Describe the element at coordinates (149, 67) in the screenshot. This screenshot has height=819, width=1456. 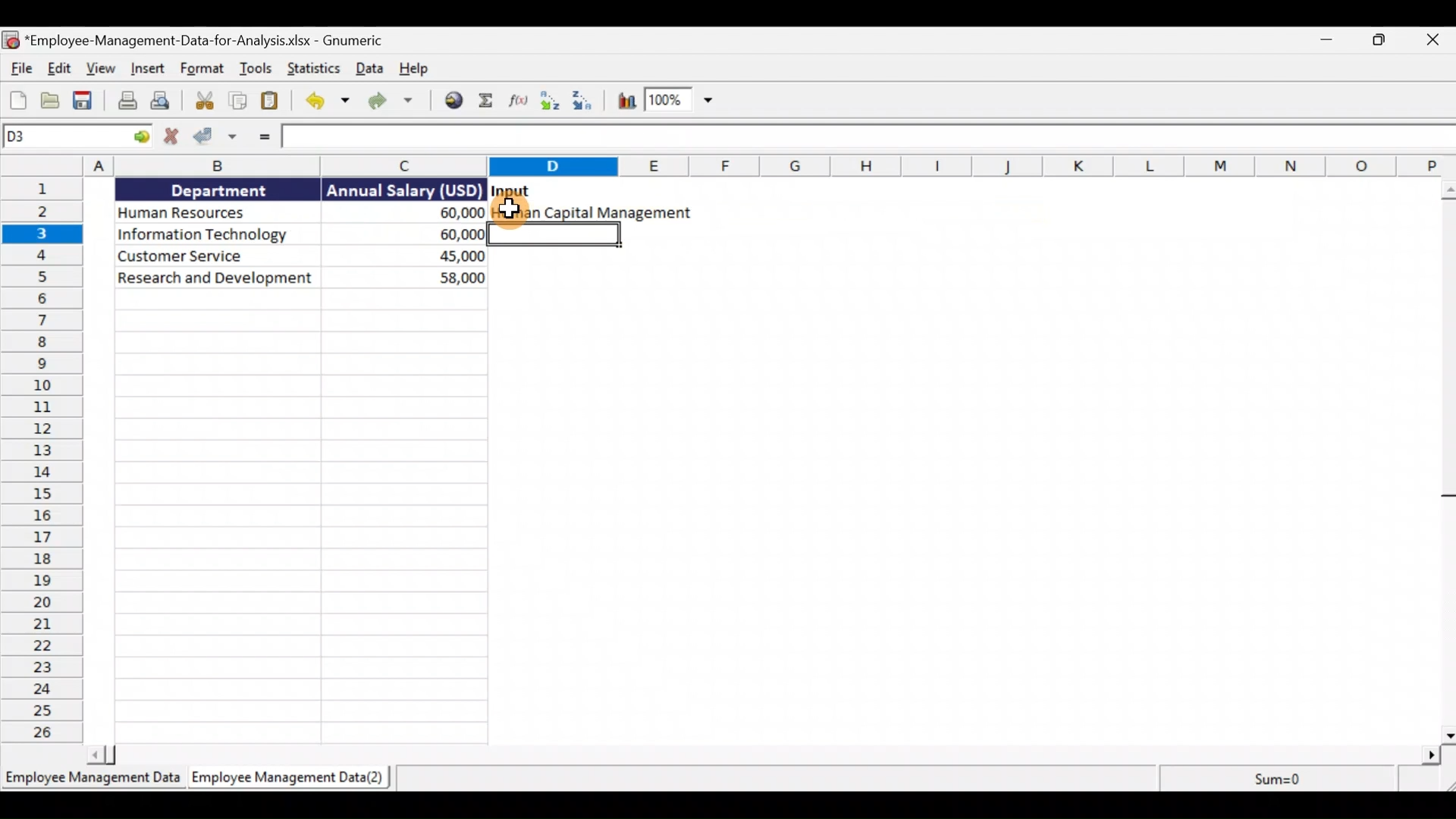
I see `Insert` at that location.